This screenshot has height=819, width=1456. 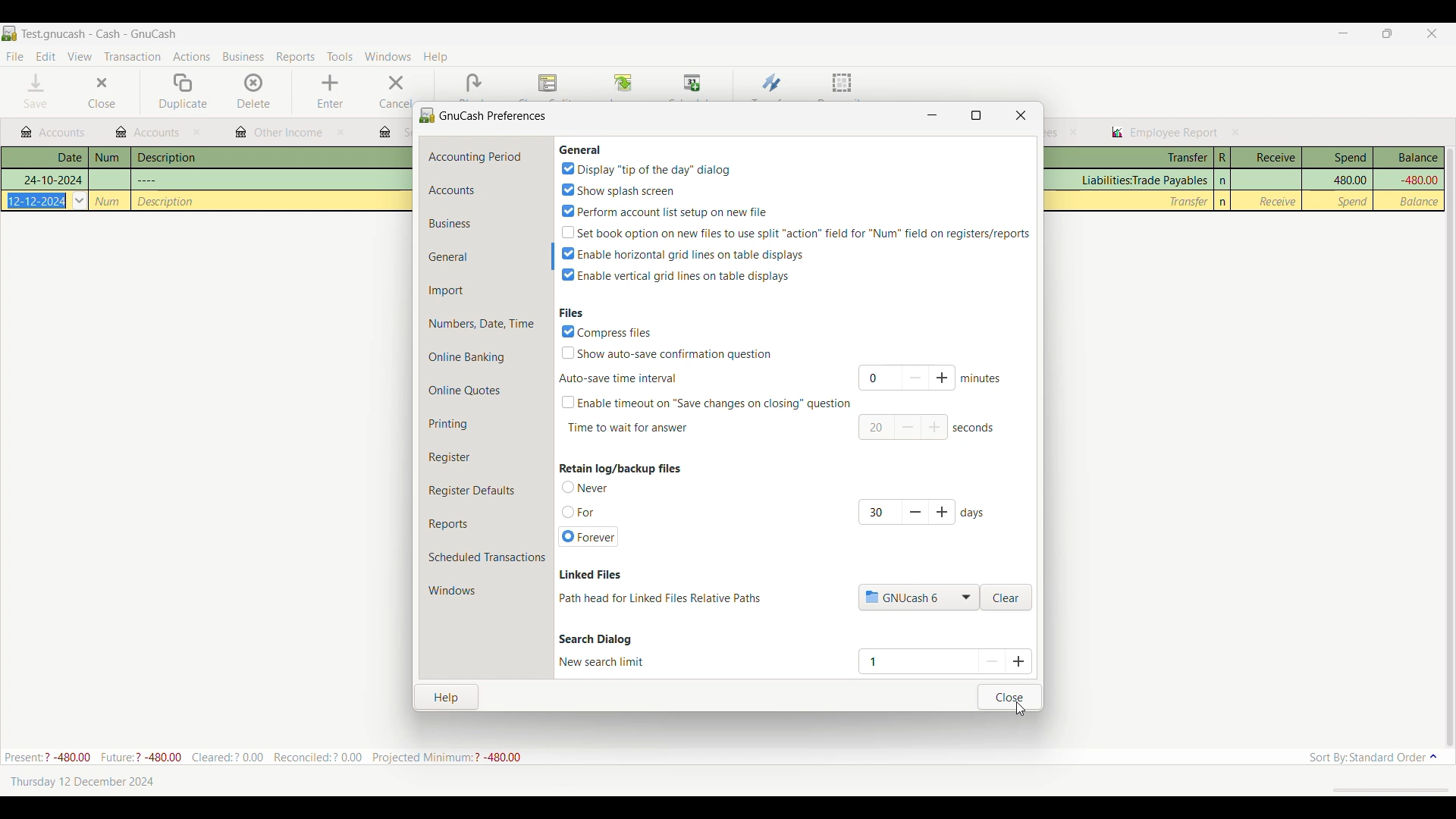 What do you see at coordinates (485, 223) in the screenshot?
I see `Business` at bounding box center [485, 223].